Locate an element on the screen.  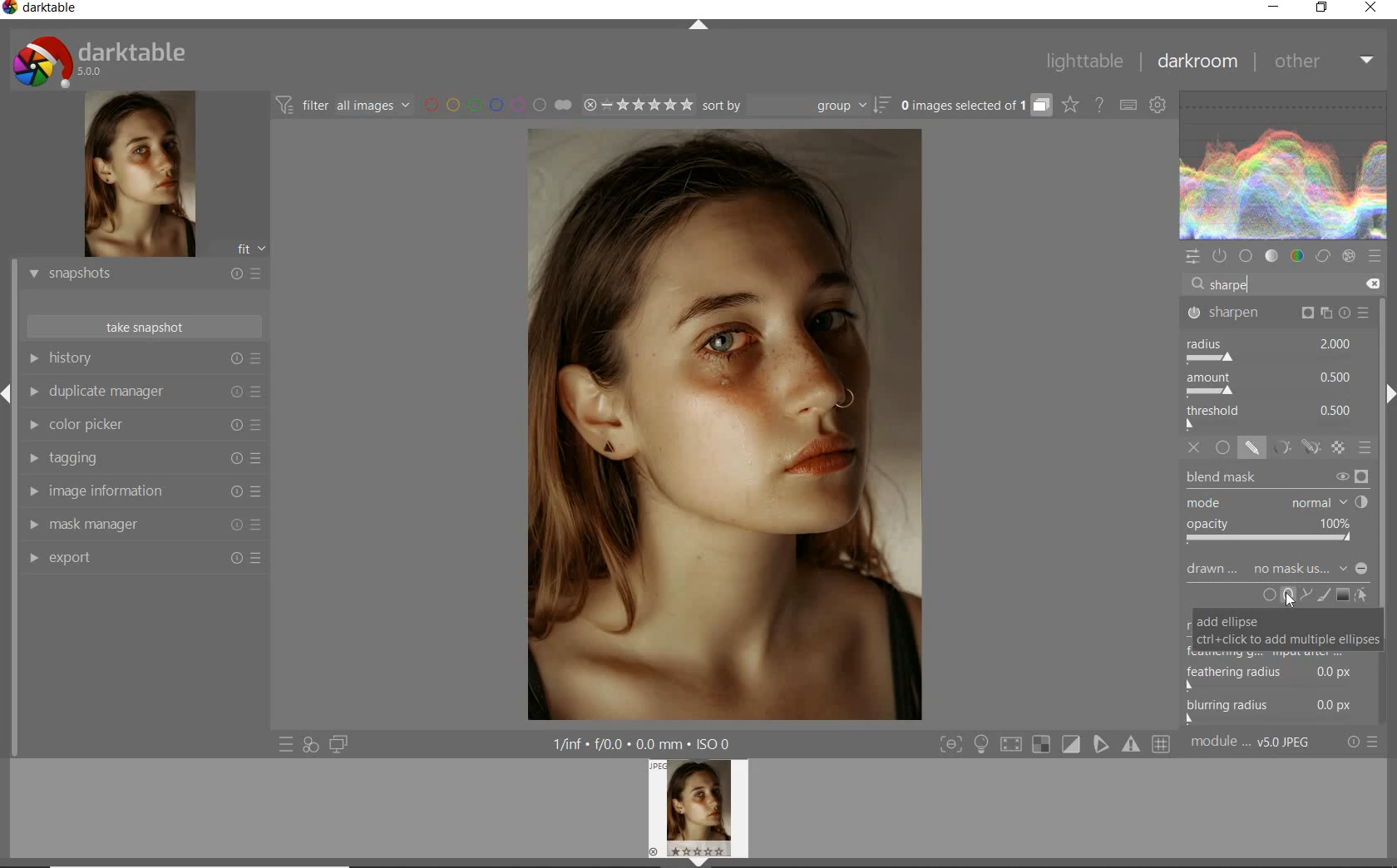
toggle modes is located at coordinates (1055, 744).